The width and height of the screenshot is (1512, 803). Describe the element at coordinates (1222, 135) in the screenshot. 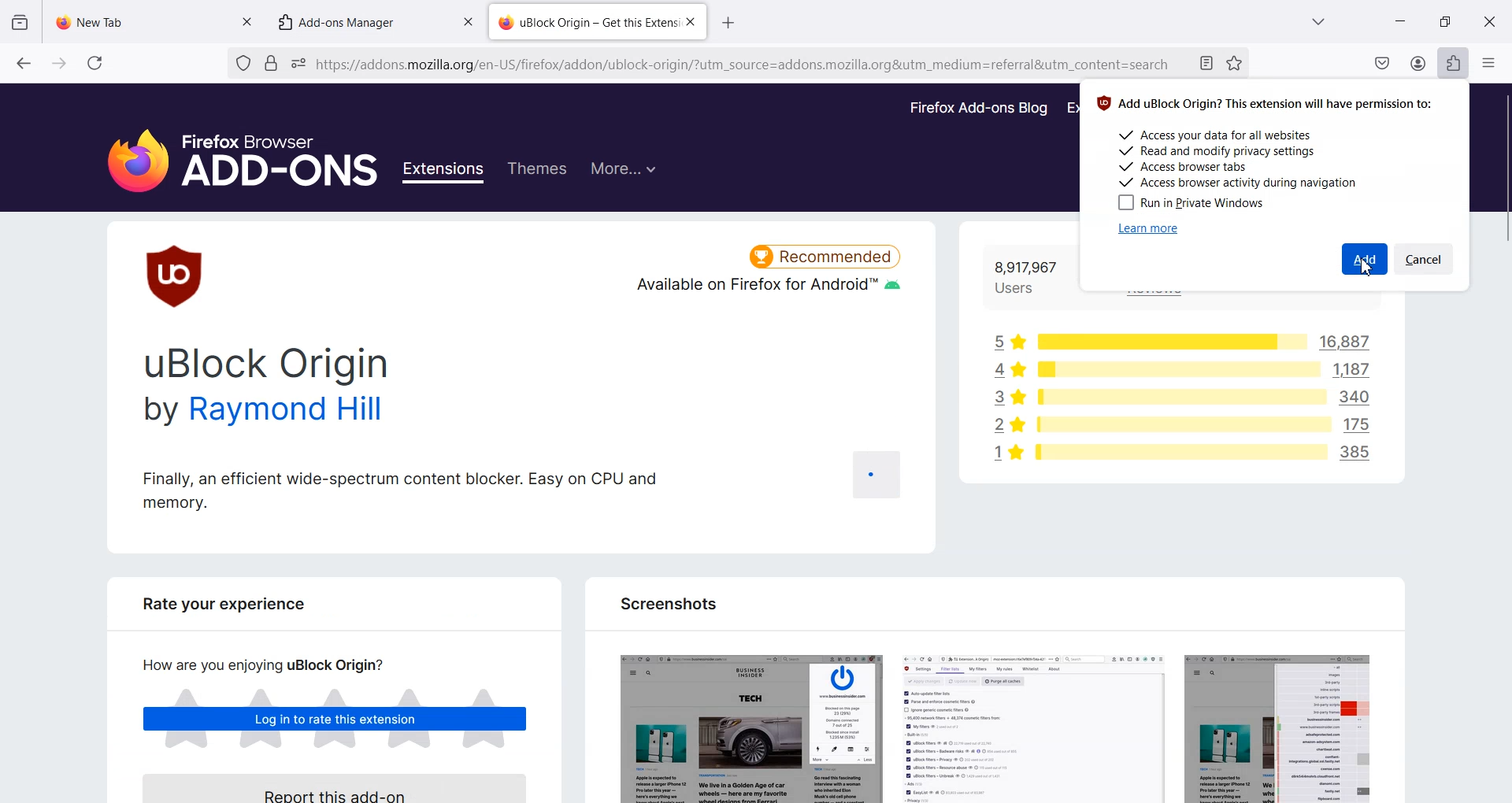

I see `\/ Access your data for all websites` at that location.